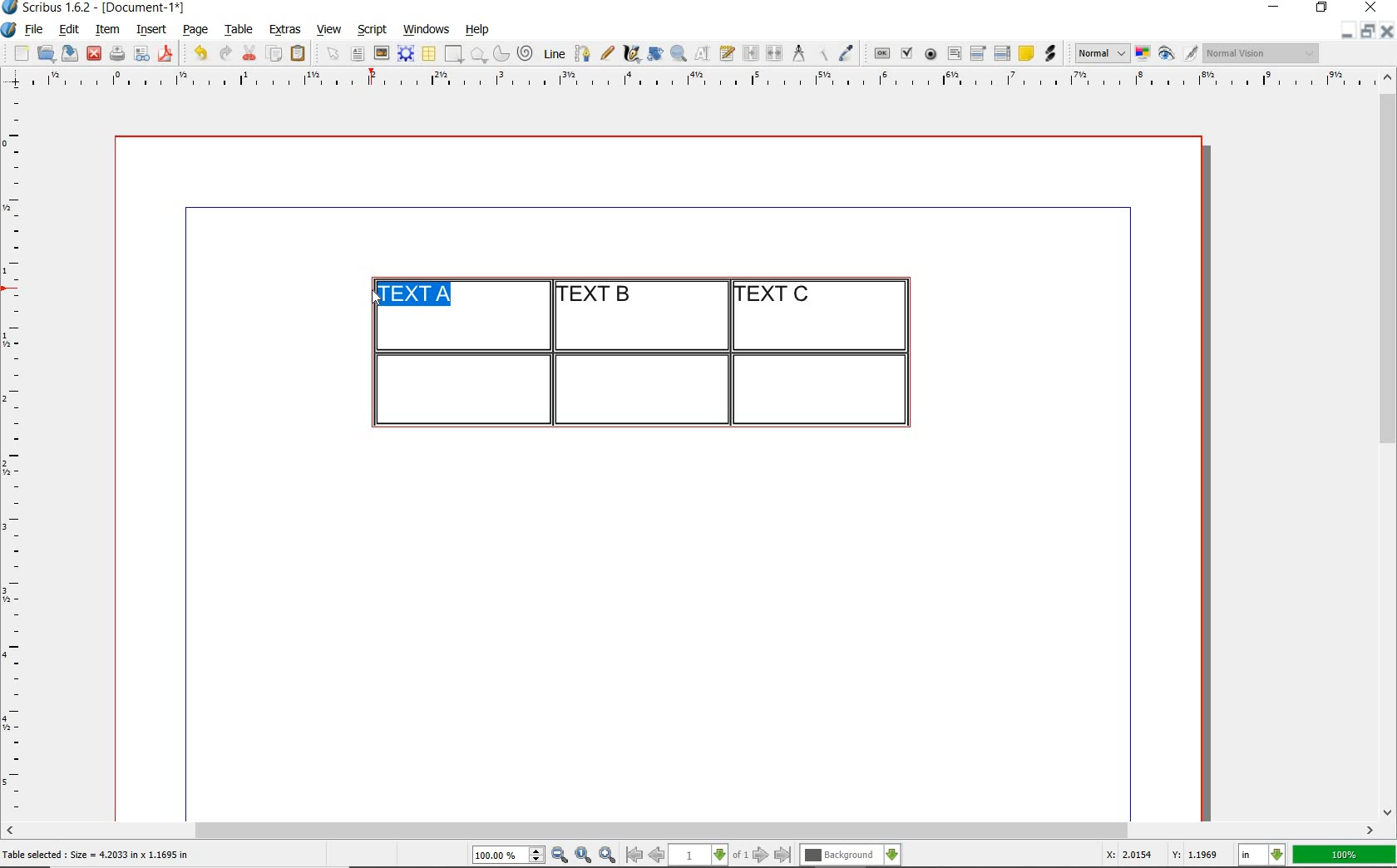  I want to click on page, so click(195, 29).